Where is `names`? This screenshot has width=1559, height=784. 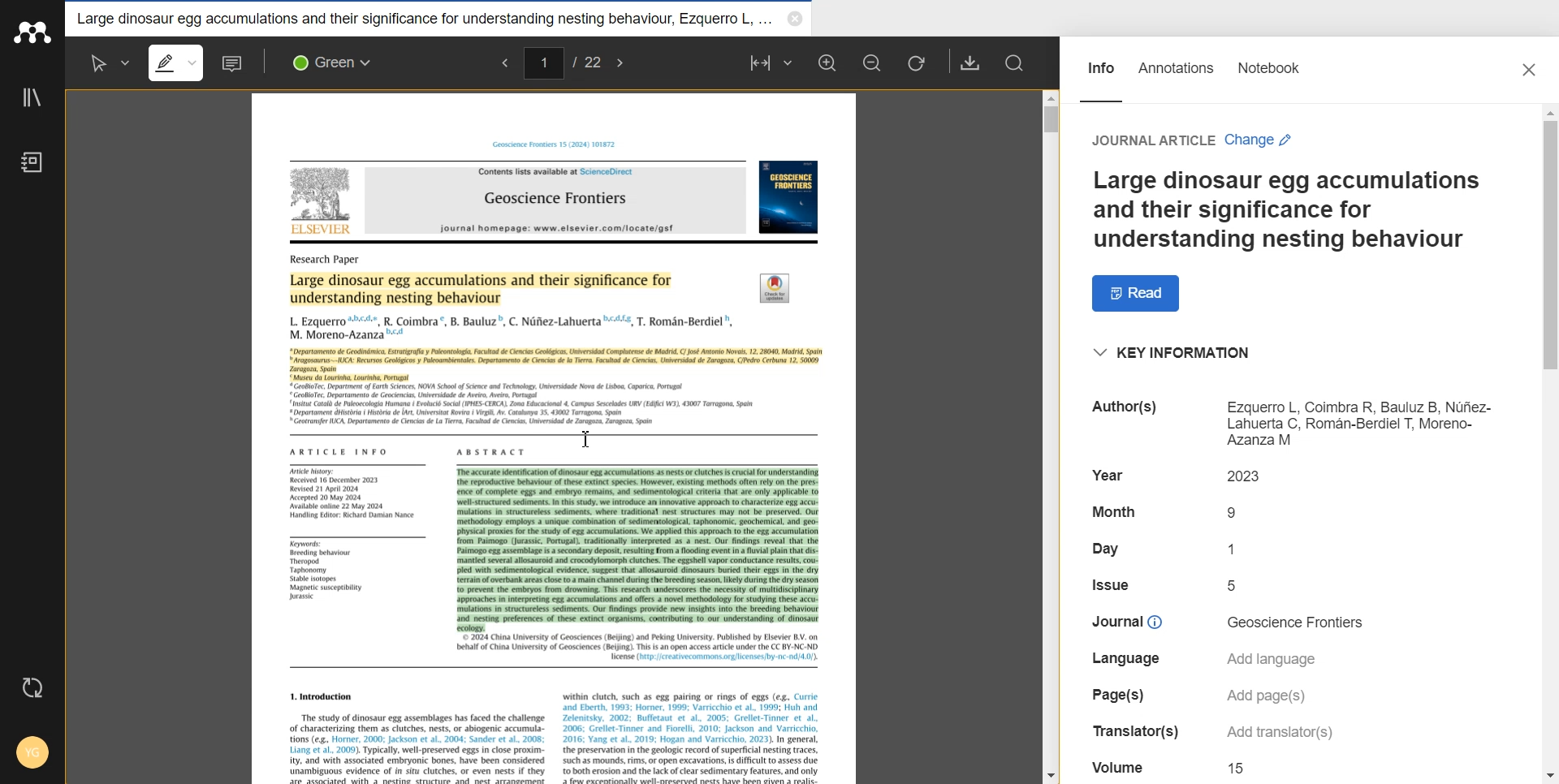
names is located at coordinates (511, 326).